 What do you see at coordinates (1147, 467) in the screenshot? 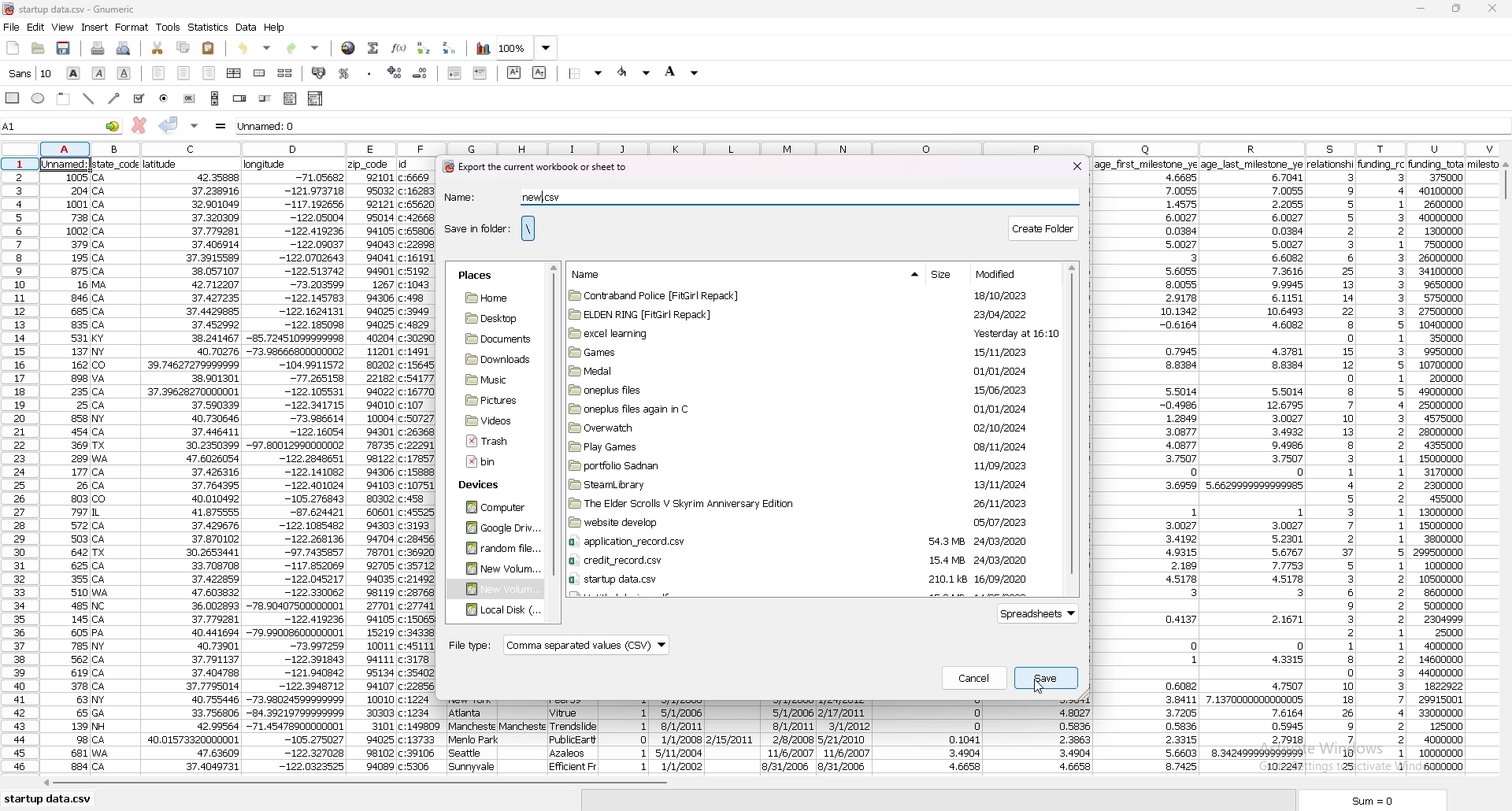
I see `daat` at bounding box center [1147, 467].